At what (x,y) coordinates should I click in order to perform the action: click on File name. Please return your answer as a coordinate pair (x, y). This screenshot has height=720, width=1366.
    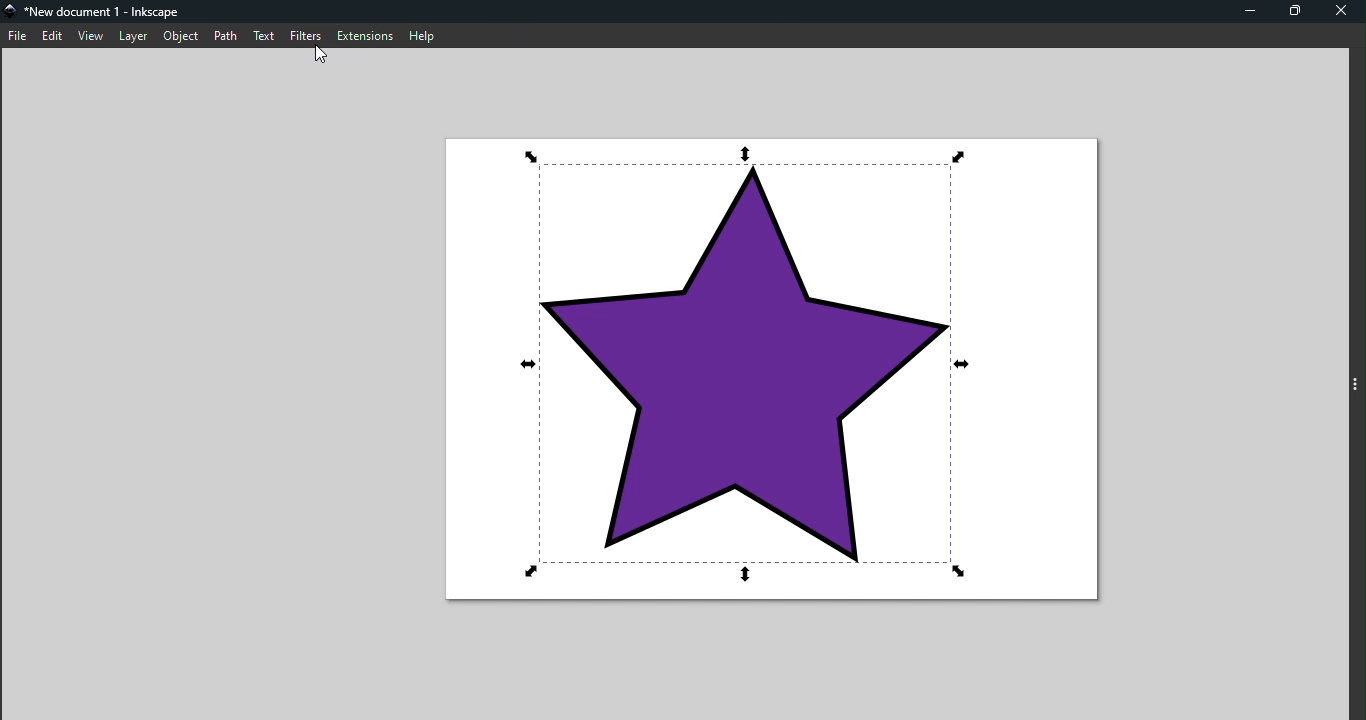
    Looking at the image, I should click on (96, 10).